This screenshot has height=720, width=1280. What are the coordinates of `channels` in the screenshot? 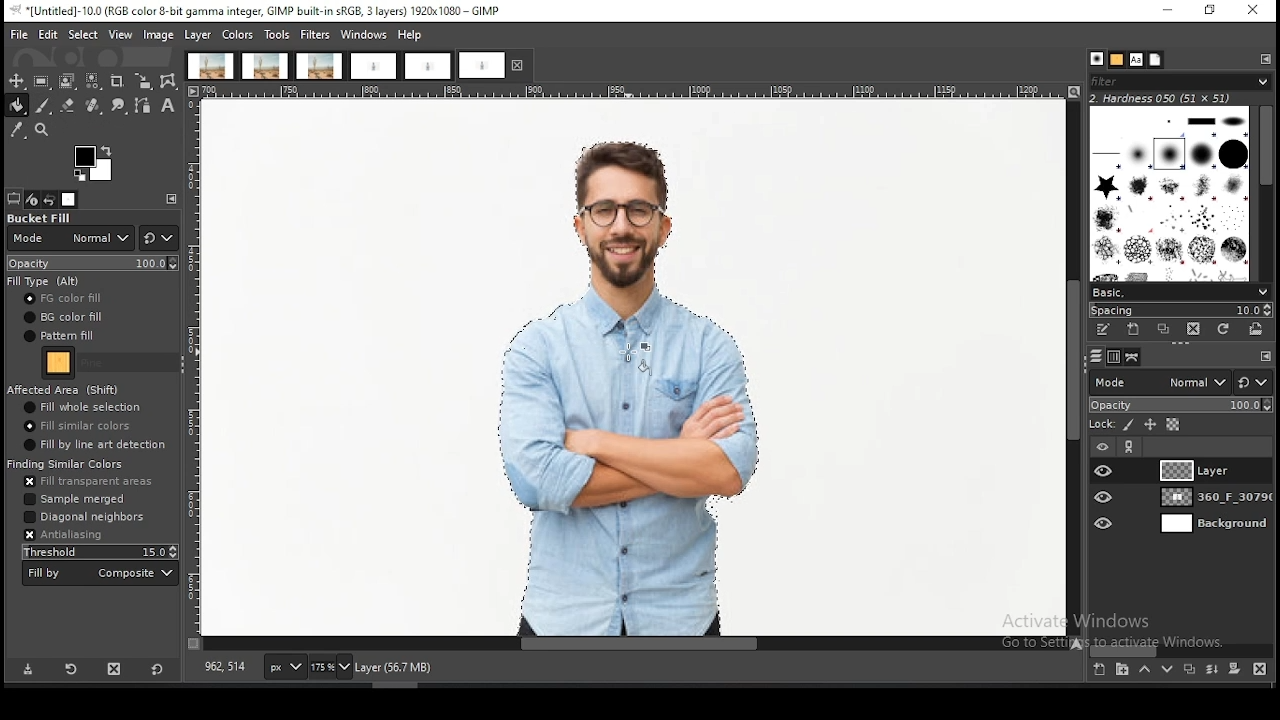 It's located at (1116, 357).